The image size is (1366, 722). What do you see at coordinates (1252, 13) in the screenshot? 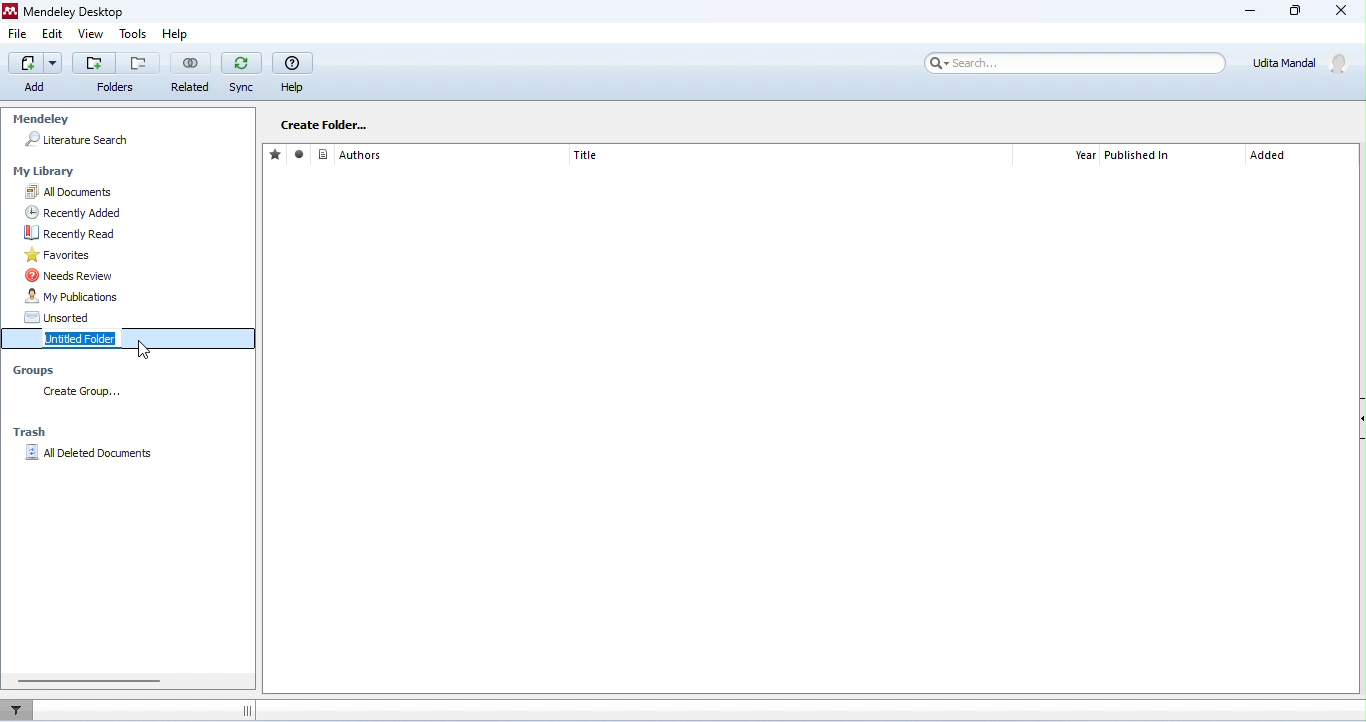
I see `minimize` at bounding box center [1252, 13].